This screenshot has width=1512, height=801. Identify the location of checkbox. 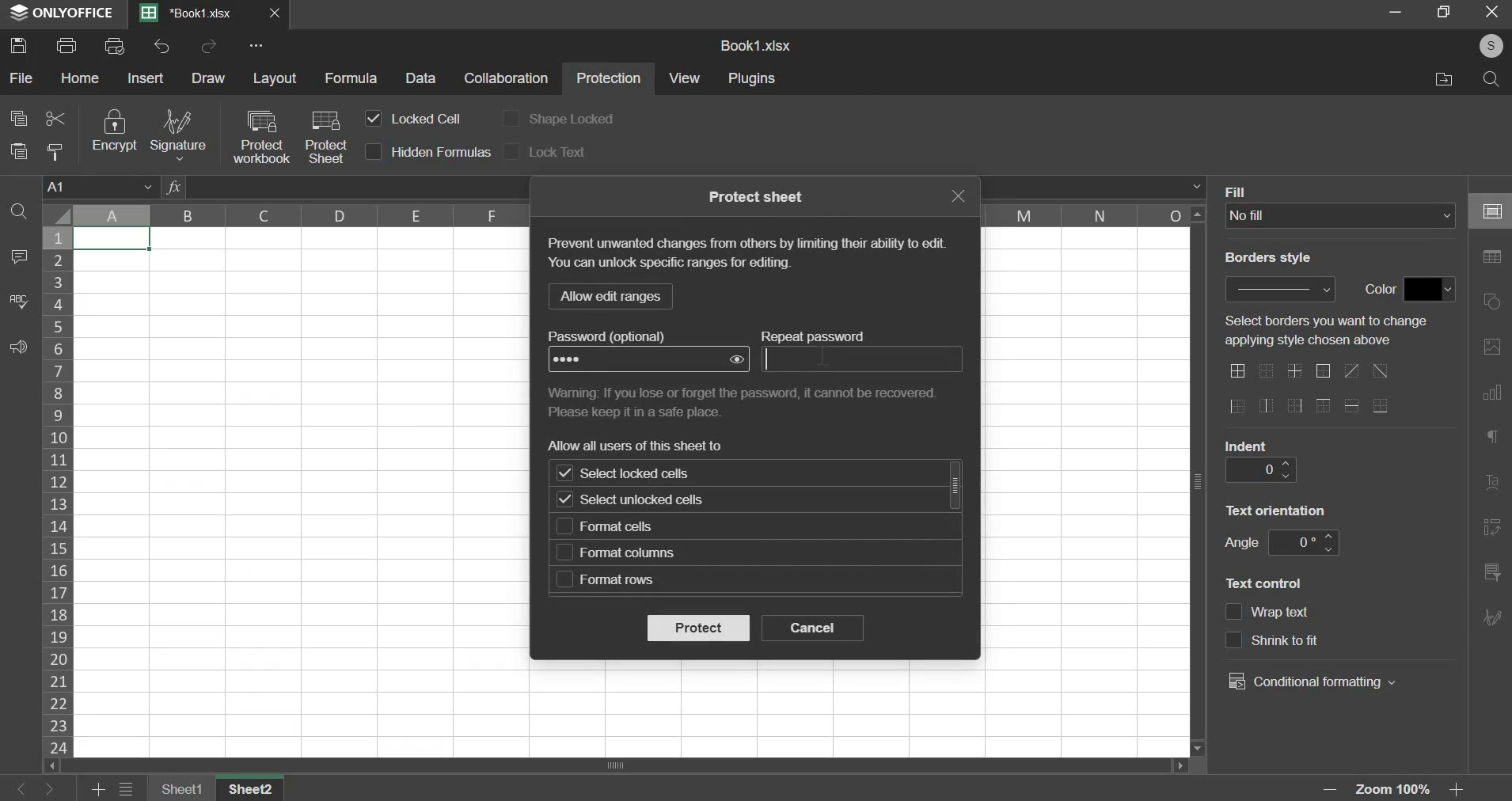
(1234, 613).